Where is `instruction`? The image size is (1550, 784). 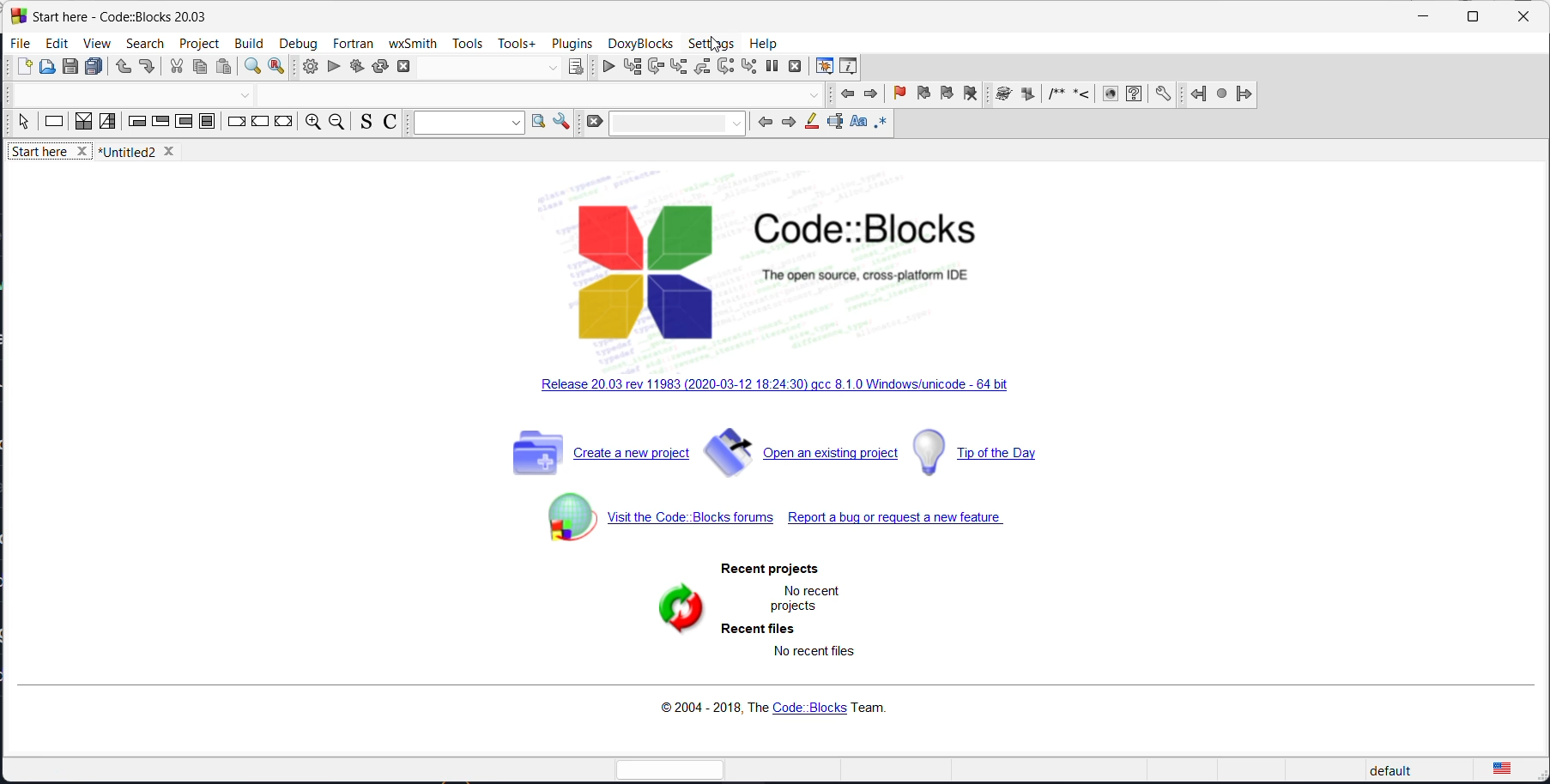
instruction is located at coordinates (54, 124).